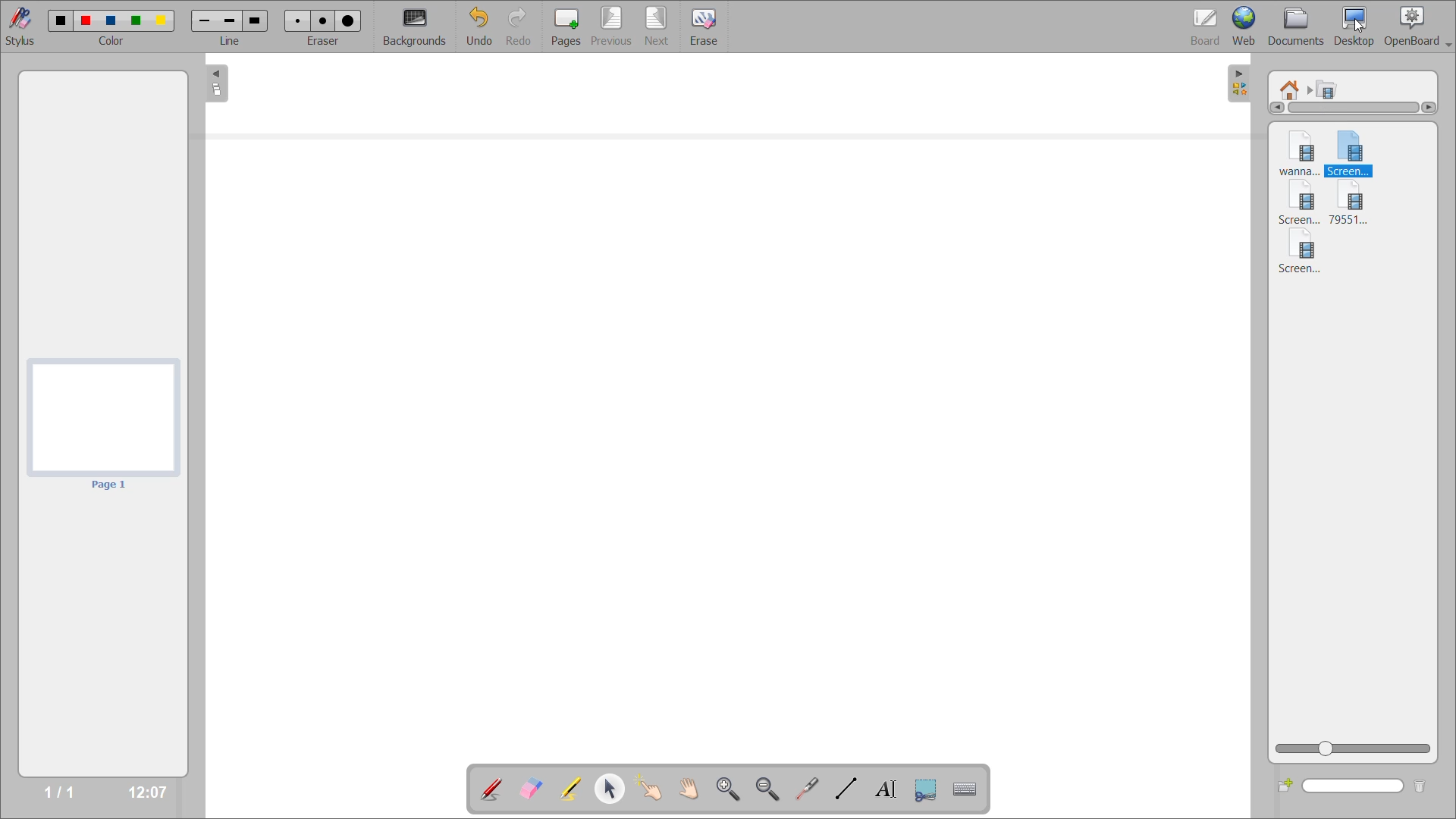 This screenshot has height=819, width=1456. What do you see at coordinates (163, 20) in the screenshot?
I see `color 5` at bounding box center [163, 20].